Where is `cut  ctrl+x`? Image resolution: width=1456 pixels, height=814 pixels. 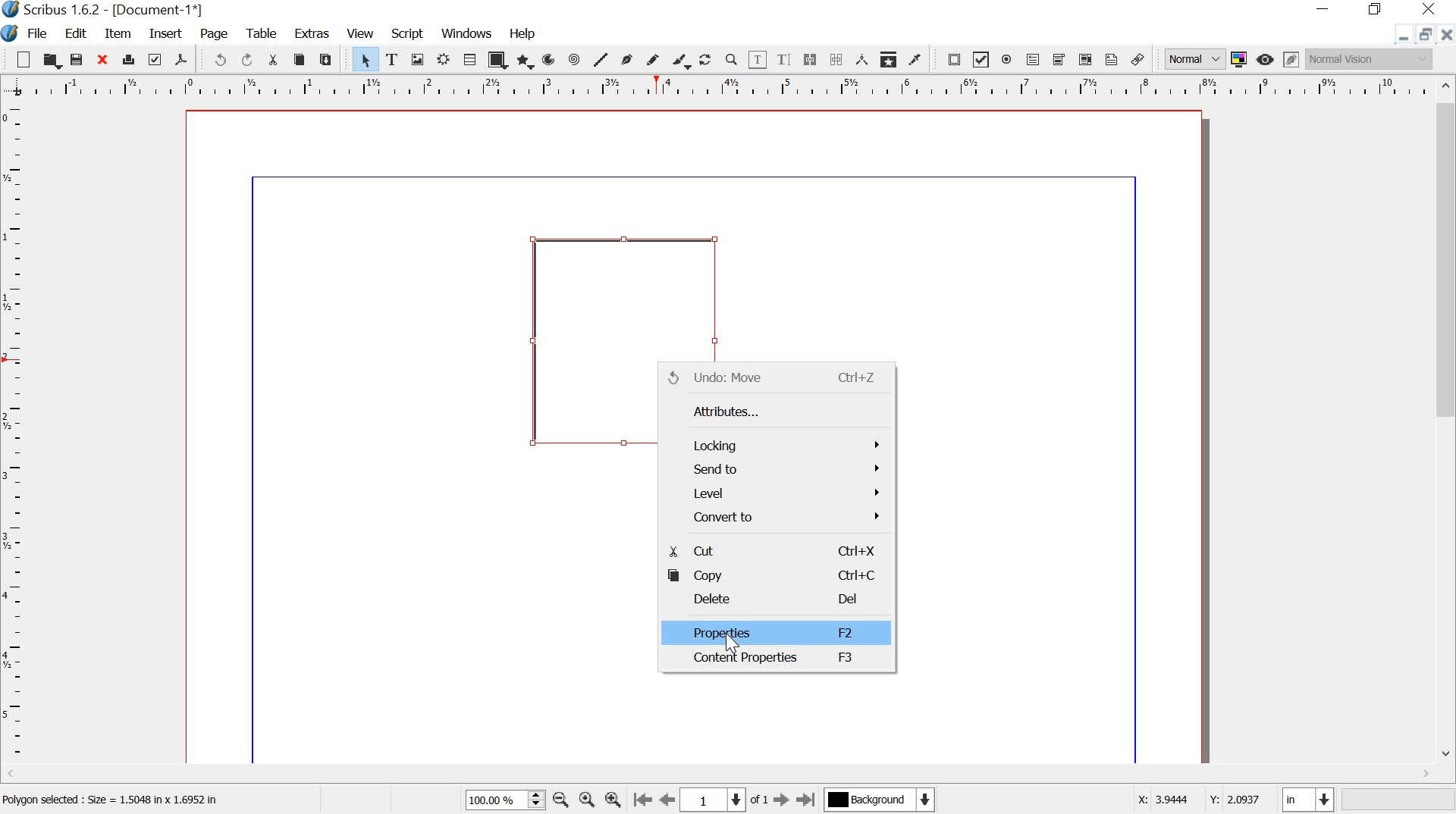
cut  ctrl+x is located at coordinates (780, 549).